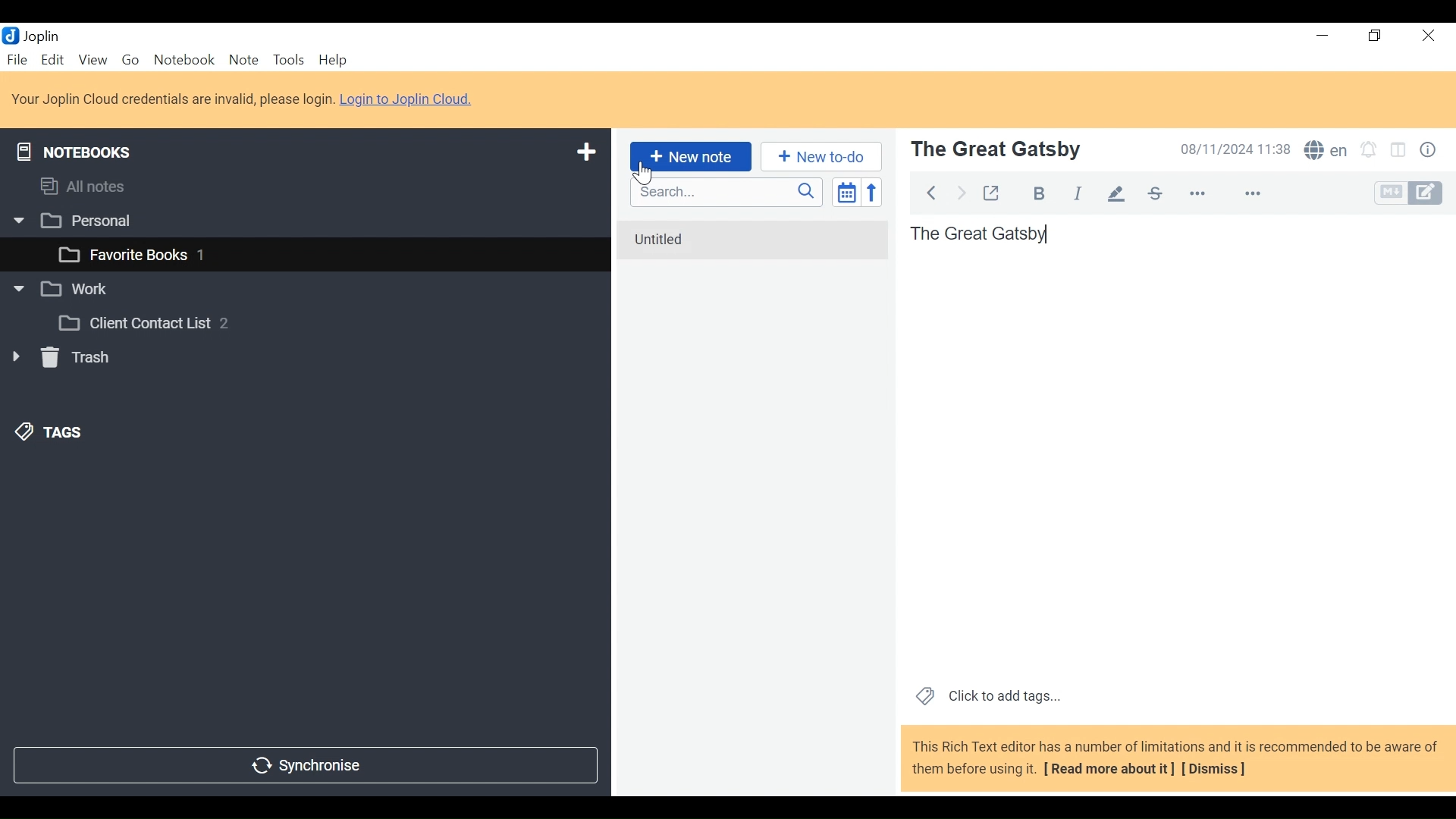  Describe the element at coordinates (727, 193) in the screenshot. I see `Search` at that location.